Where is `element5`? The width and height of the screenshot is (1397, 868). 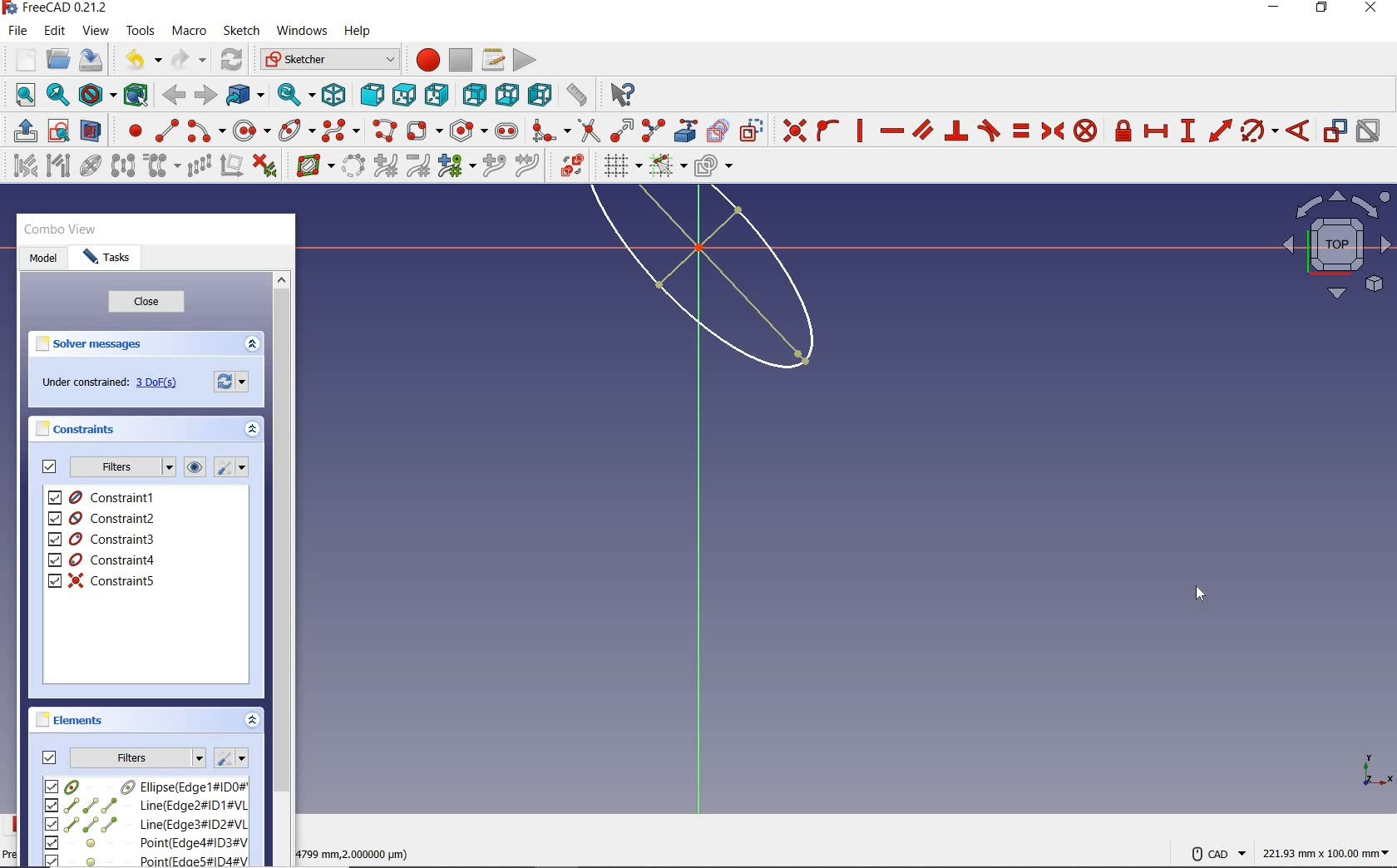 element5 is located at coordinates (147, 860).